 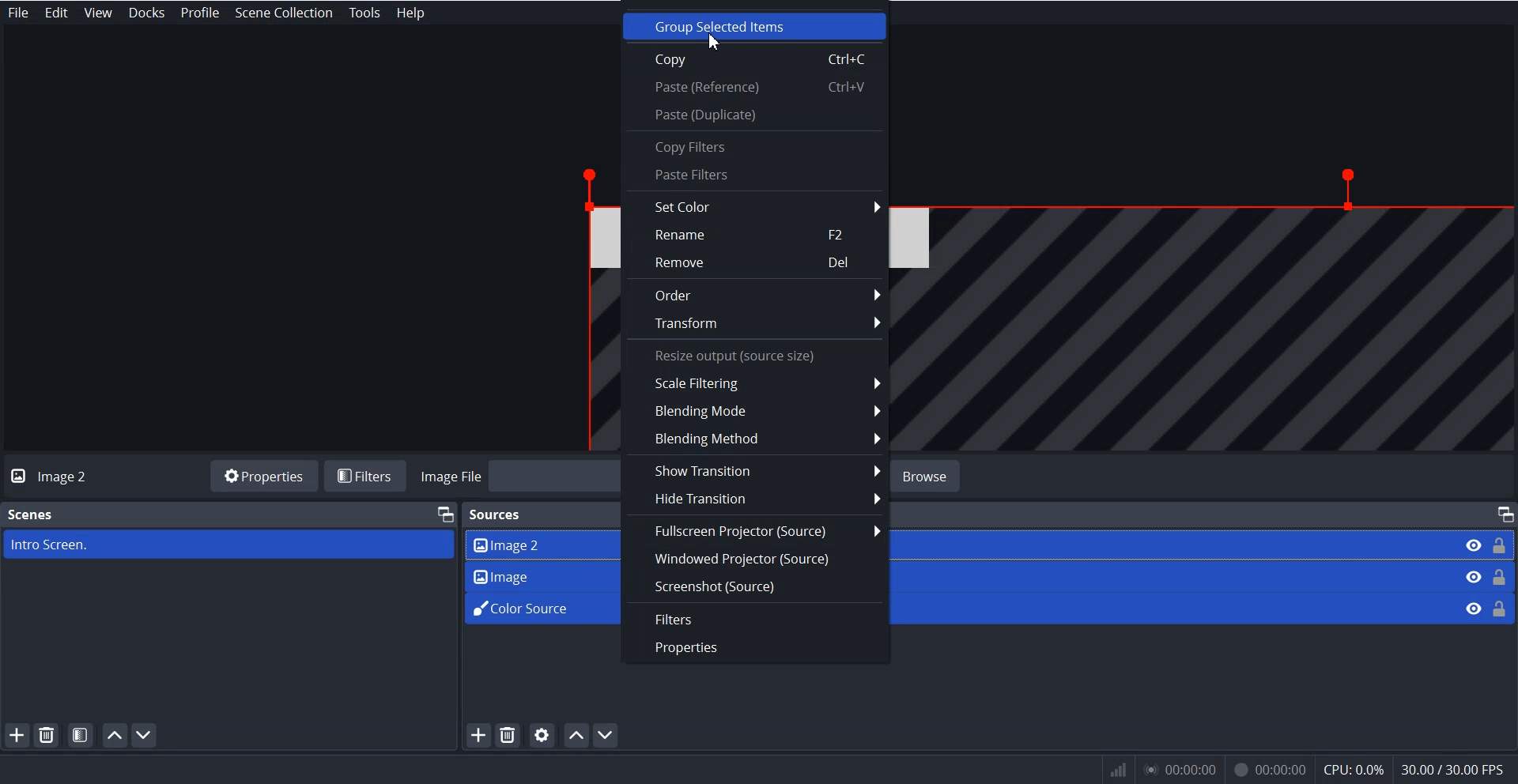 What do you see at coordinates (691, 235) in the screenshot?
I see `Rename` at bounding box center [691, 235].